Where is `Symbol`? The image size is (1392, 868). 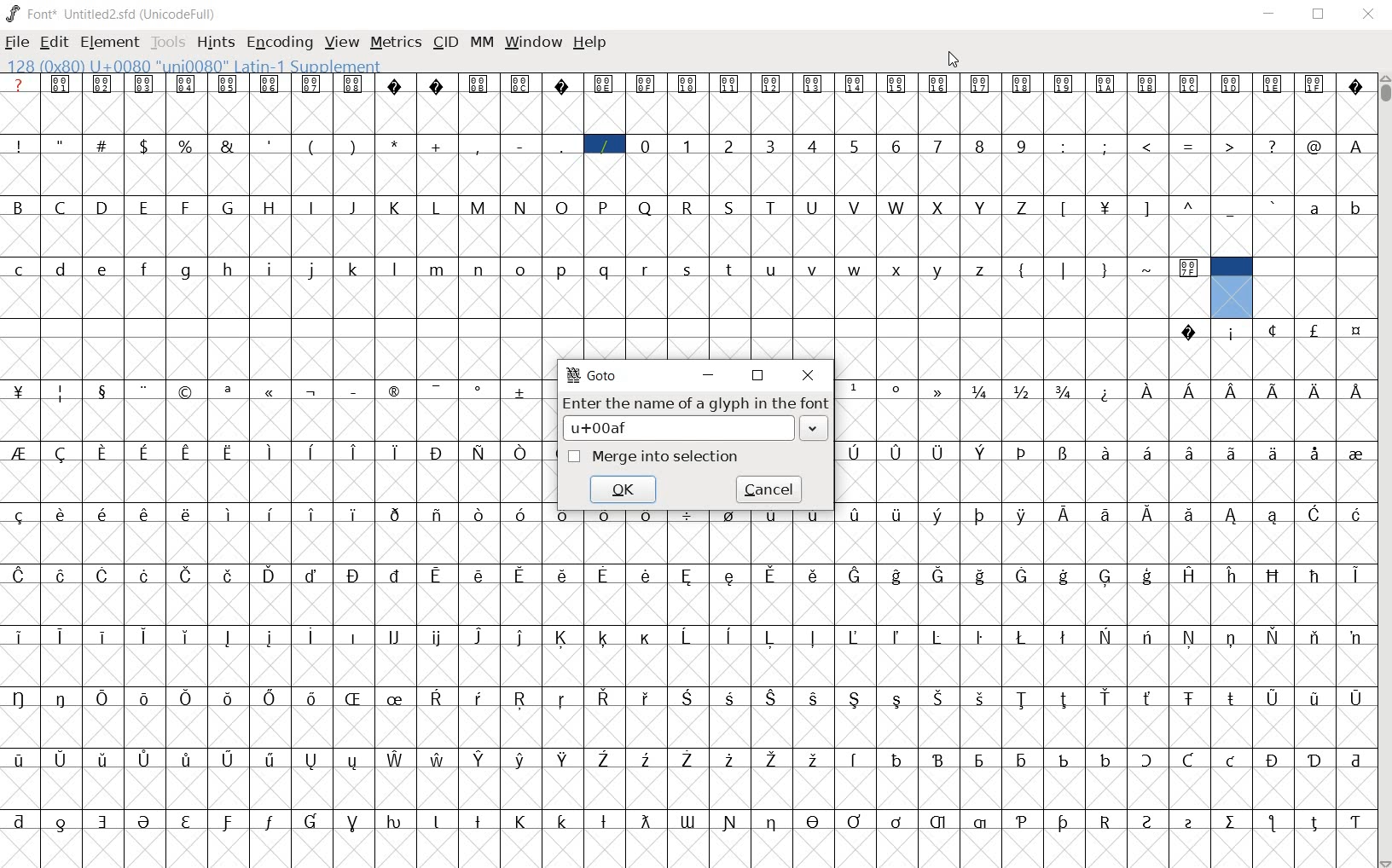 Symbol is located at coordinates (188, 391).